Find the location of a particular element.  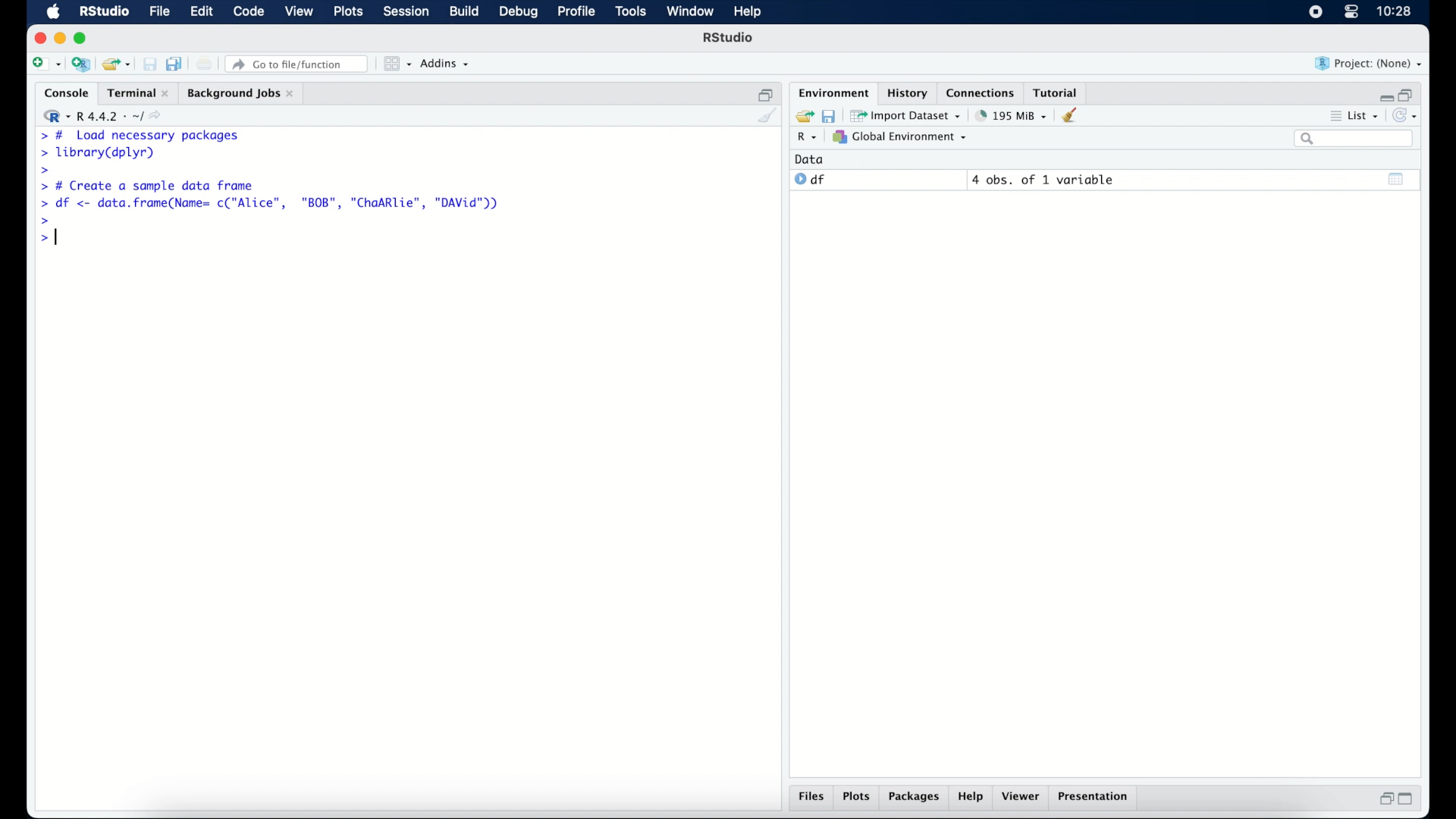

go to file/function is located at coordinates (297, 64).